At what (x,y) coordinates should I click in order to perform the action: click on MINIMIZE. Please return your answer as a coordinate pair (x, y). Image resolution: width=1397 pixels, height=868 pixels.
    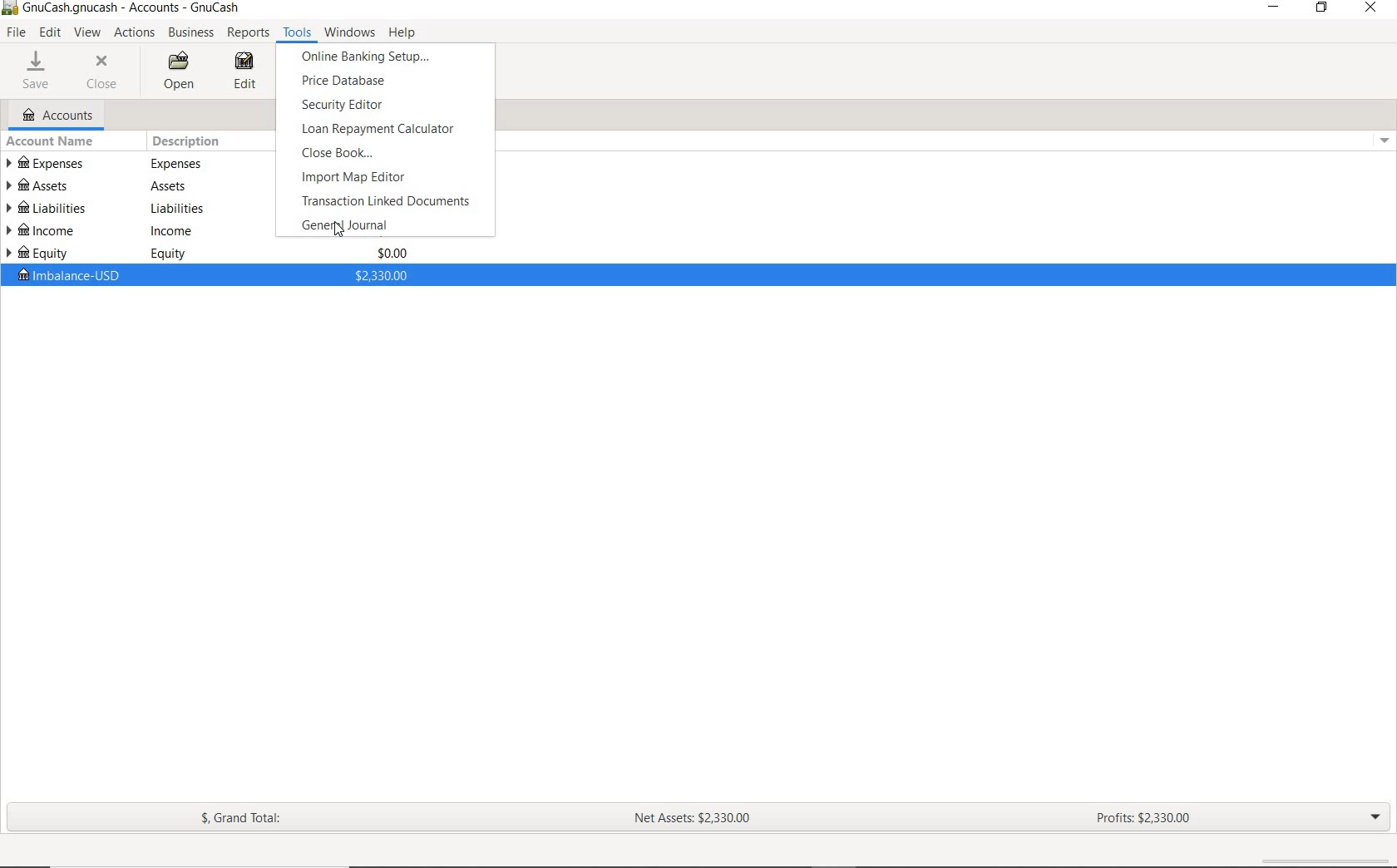
    Looking at the image, I should click on (1273, 7).